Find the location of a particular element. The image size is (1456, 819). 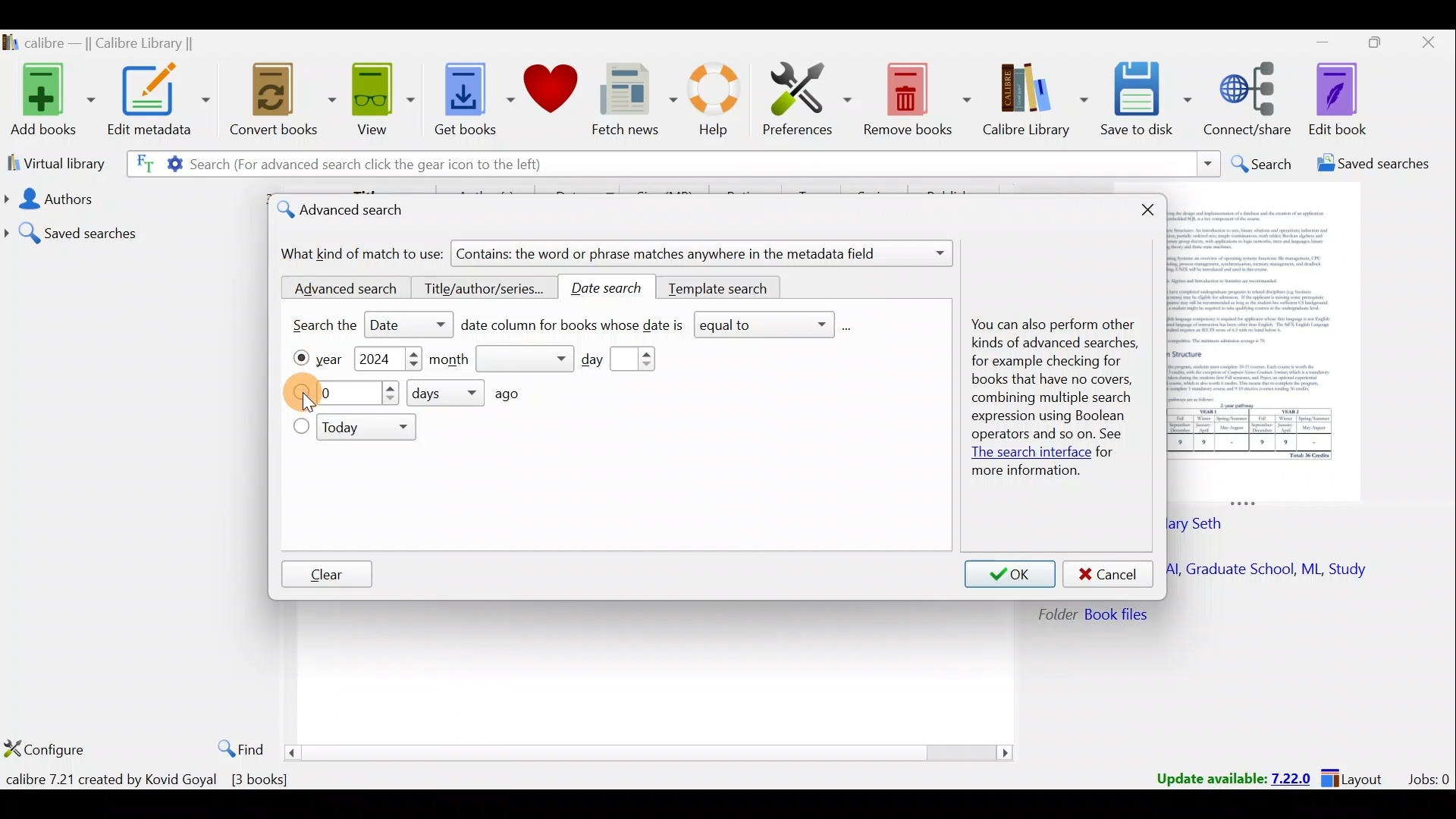

You can also perform other kinds of advanced searches, for example checking for books that have no covers, combining multiple search expression using Boolean operators and so on. See is located at coordinates (1050, 382).